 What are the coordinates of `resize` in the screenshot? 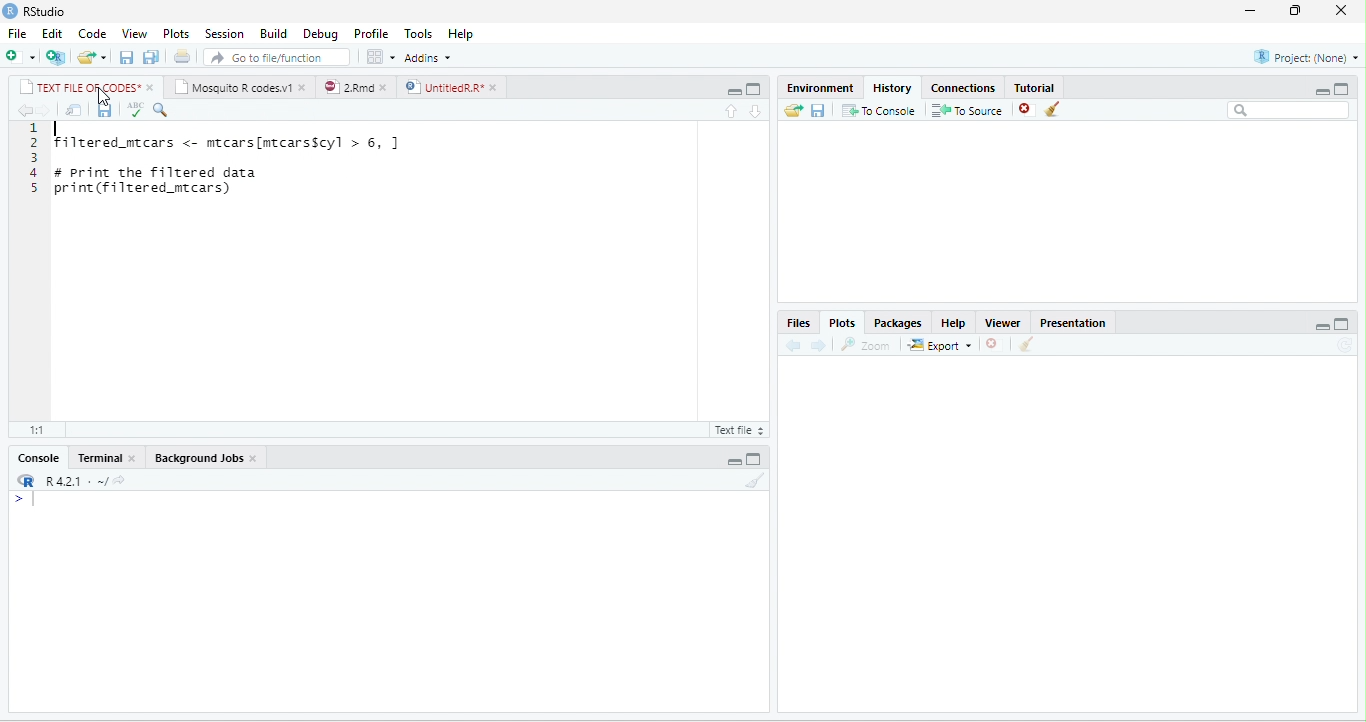 It's located at (1292, 11).